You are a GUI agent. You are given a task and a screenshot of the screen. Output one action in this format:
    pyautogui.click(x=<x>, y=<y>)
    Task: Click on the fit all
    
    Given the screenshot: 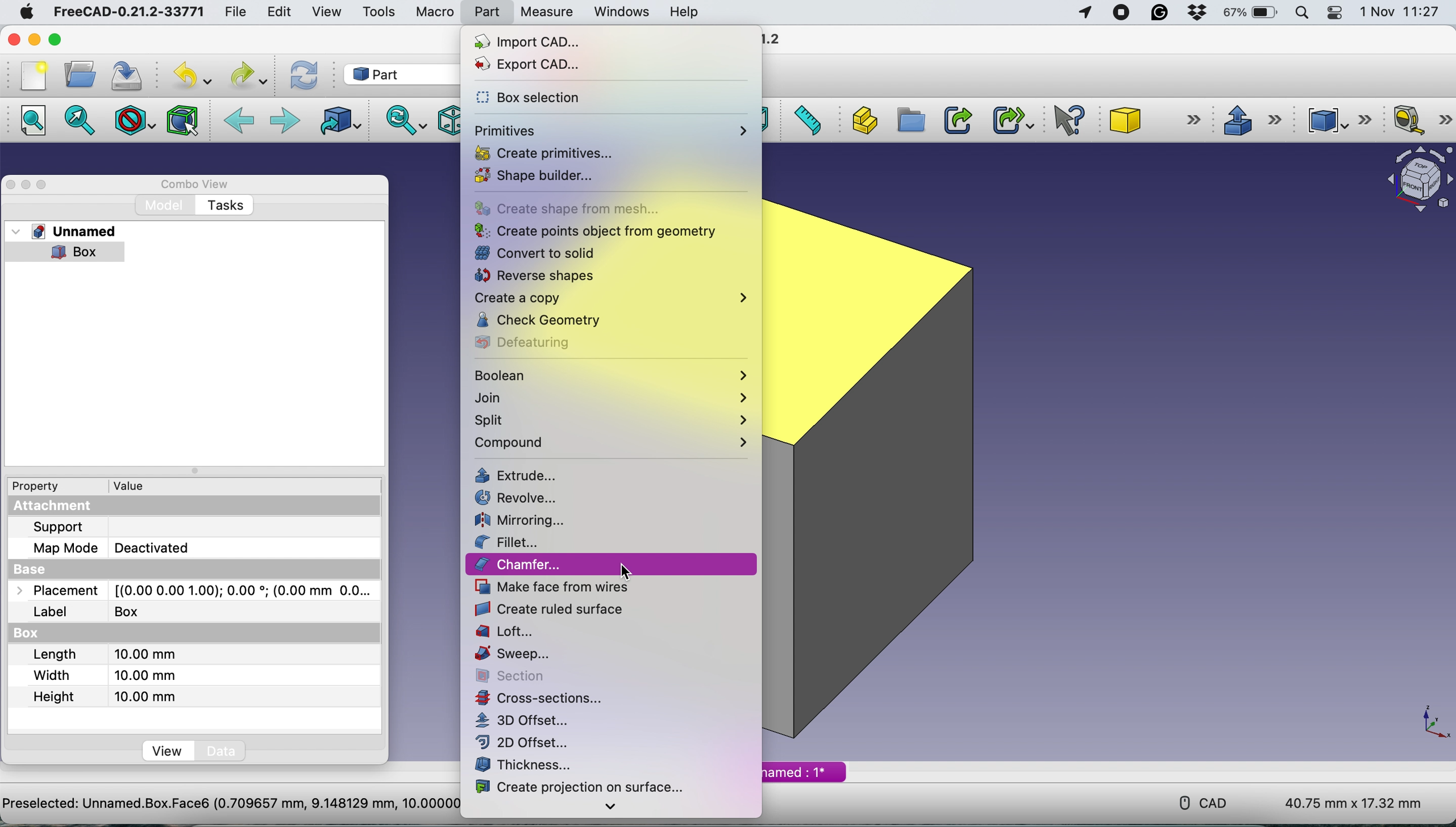 What is the action you would take?
    pyautogui.click(x=36, y=120)
    